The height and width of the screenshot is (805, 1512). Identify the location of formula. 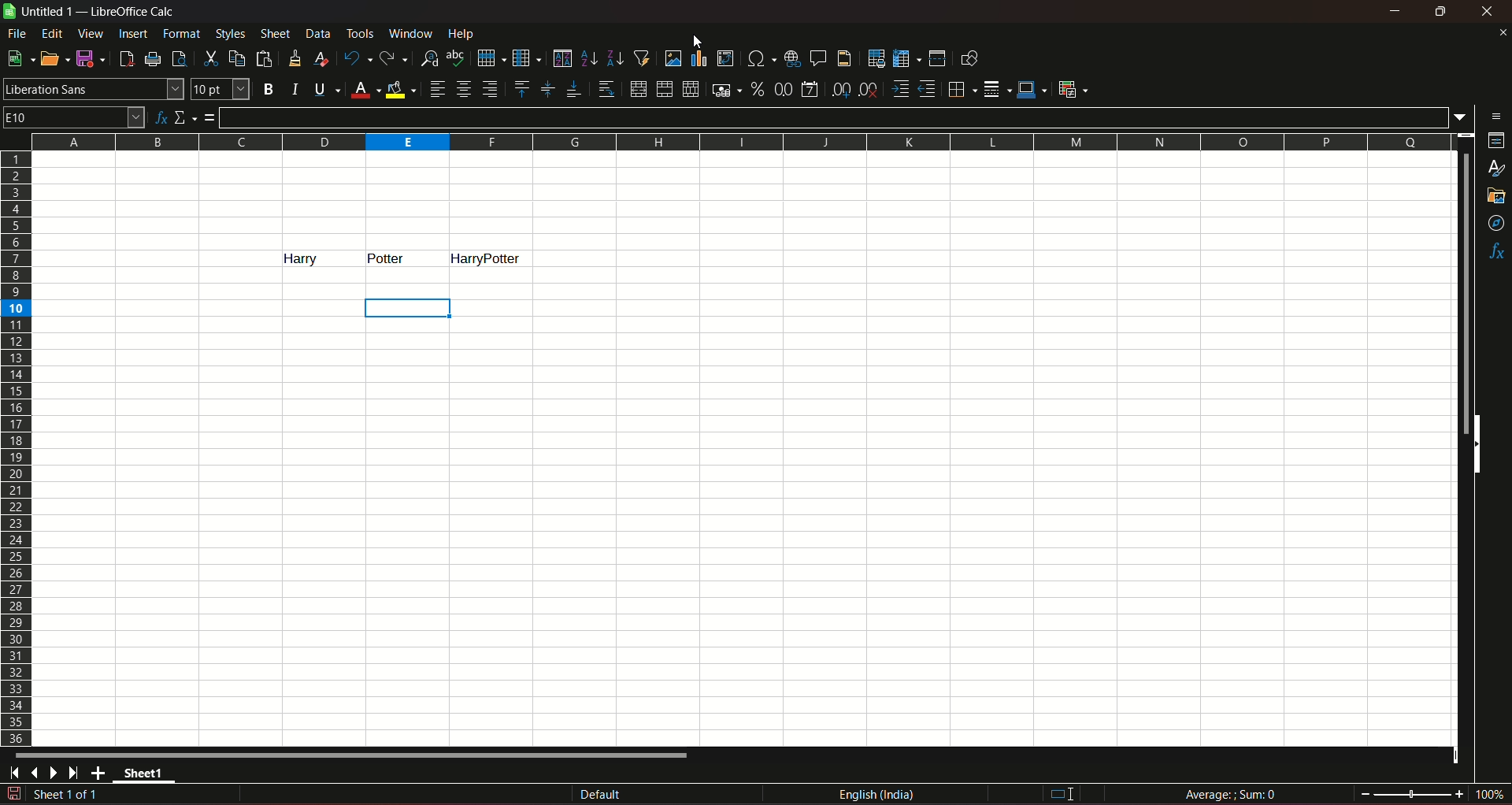
(1233, 794).